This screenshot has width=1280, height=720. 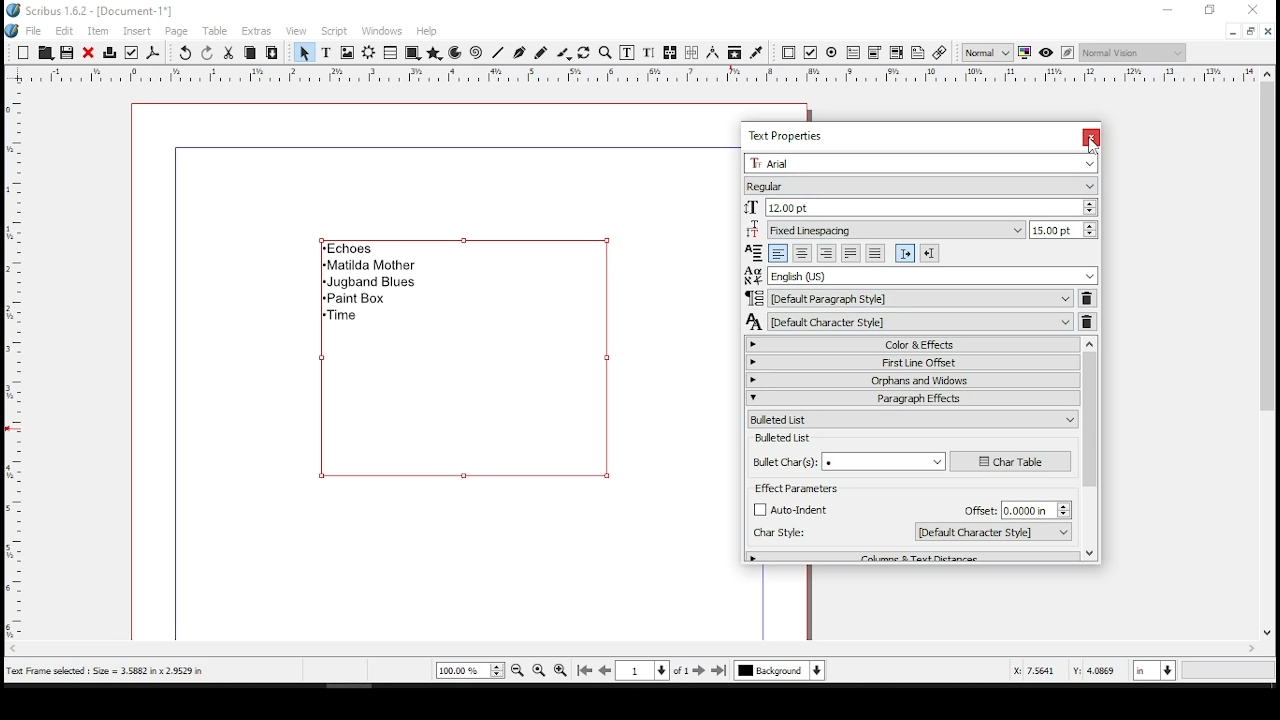 I want to click on script, so click(x=333, y=33).